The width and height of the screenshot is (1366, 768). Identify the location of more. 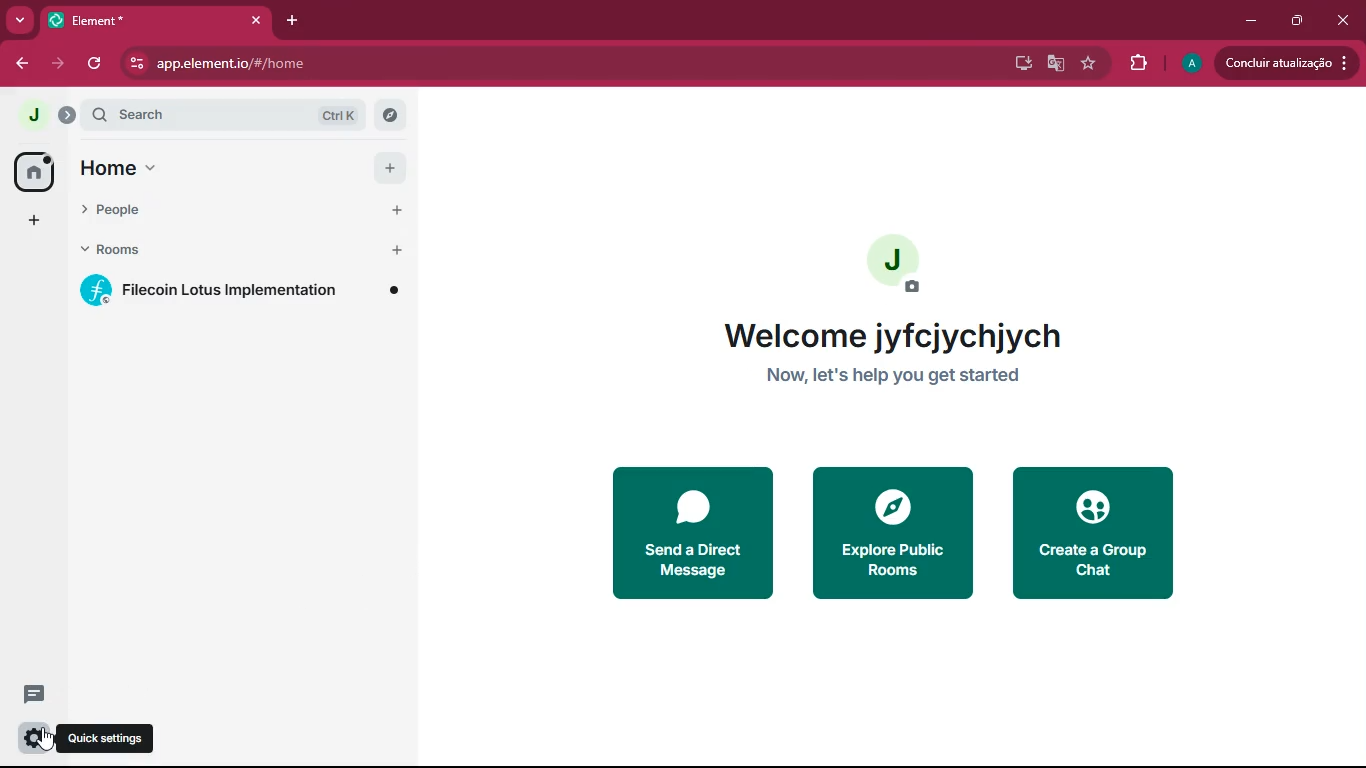
(20, 19).